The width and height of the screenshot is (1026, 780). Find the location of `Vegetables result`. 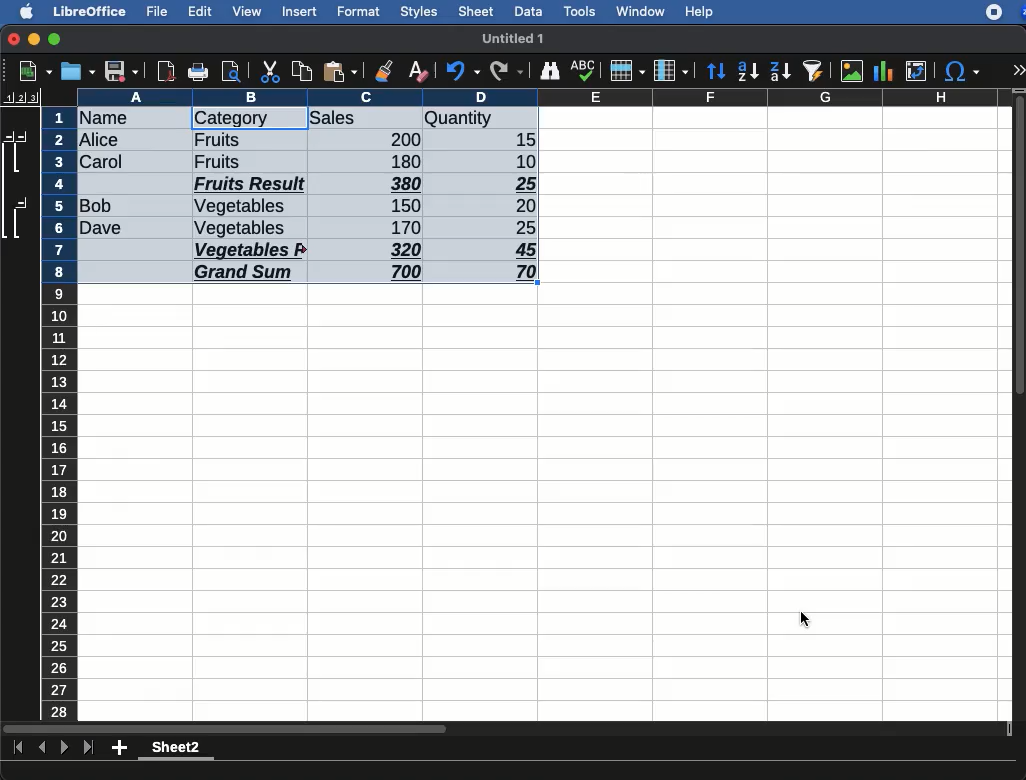

Vegetables result is located at coordinates (248, 249).